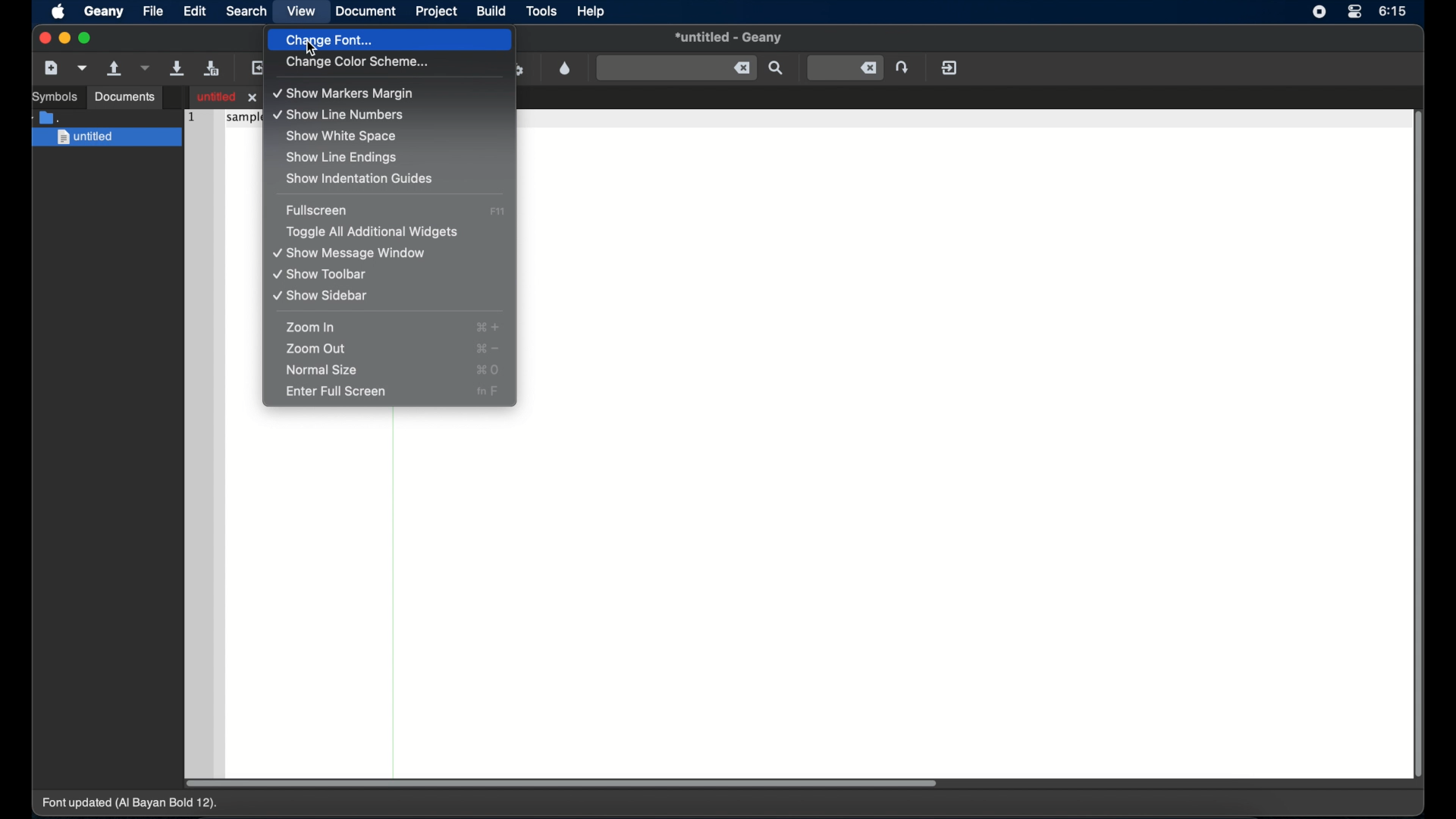 This screenshot has width=1456, height=819. I want to click on fullscreen, so click(318, 210).